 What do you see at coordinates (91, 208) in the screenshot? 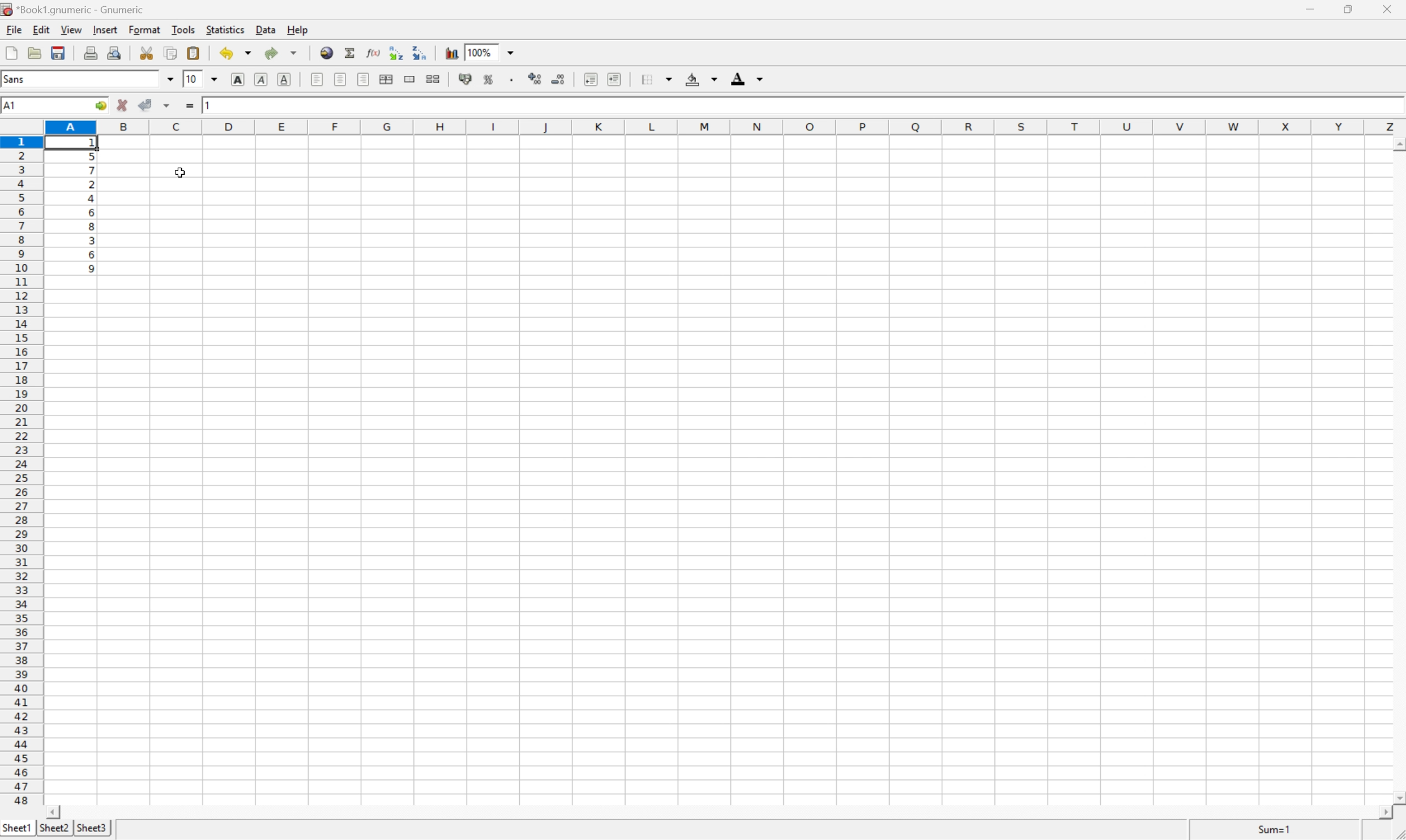
I see `random numbers` at bounding box center [91, 208].